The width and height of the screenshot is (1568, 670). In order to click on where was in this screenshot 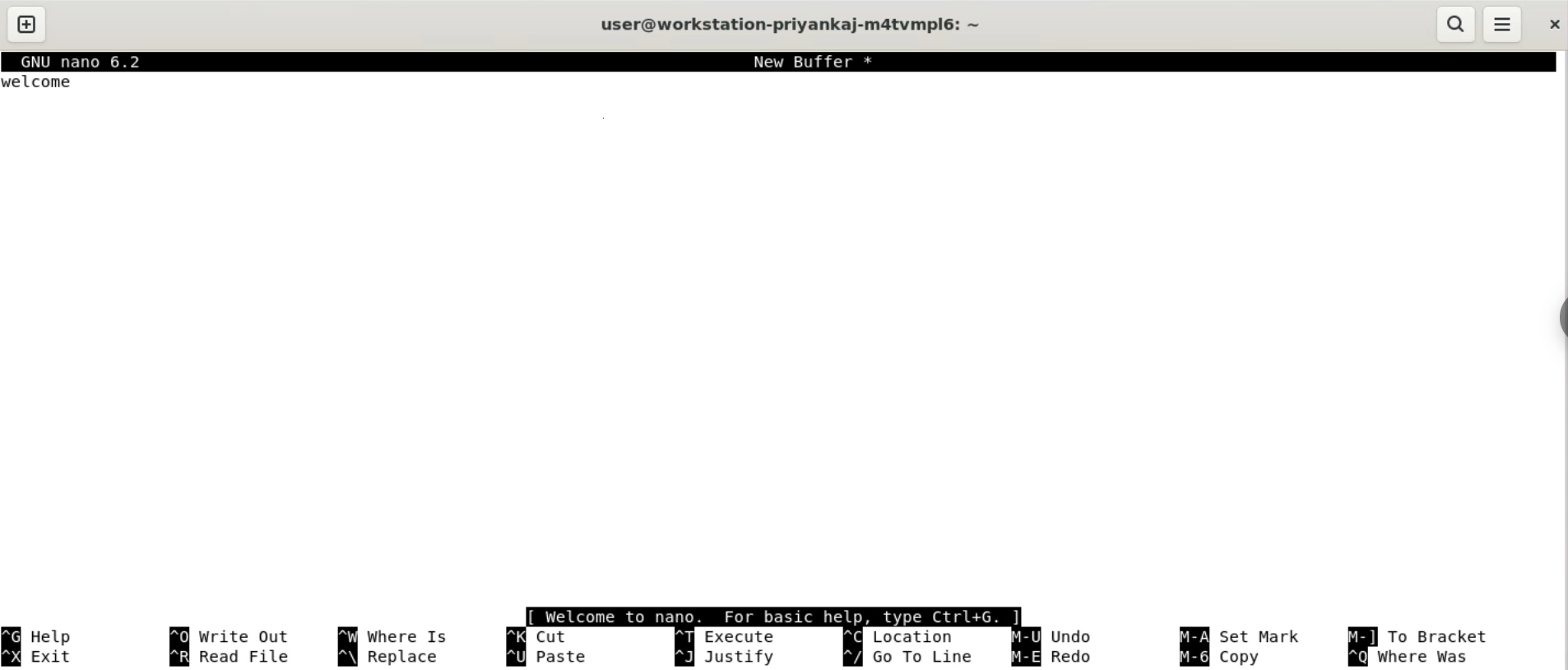, I will do `click(1417, 657)`.